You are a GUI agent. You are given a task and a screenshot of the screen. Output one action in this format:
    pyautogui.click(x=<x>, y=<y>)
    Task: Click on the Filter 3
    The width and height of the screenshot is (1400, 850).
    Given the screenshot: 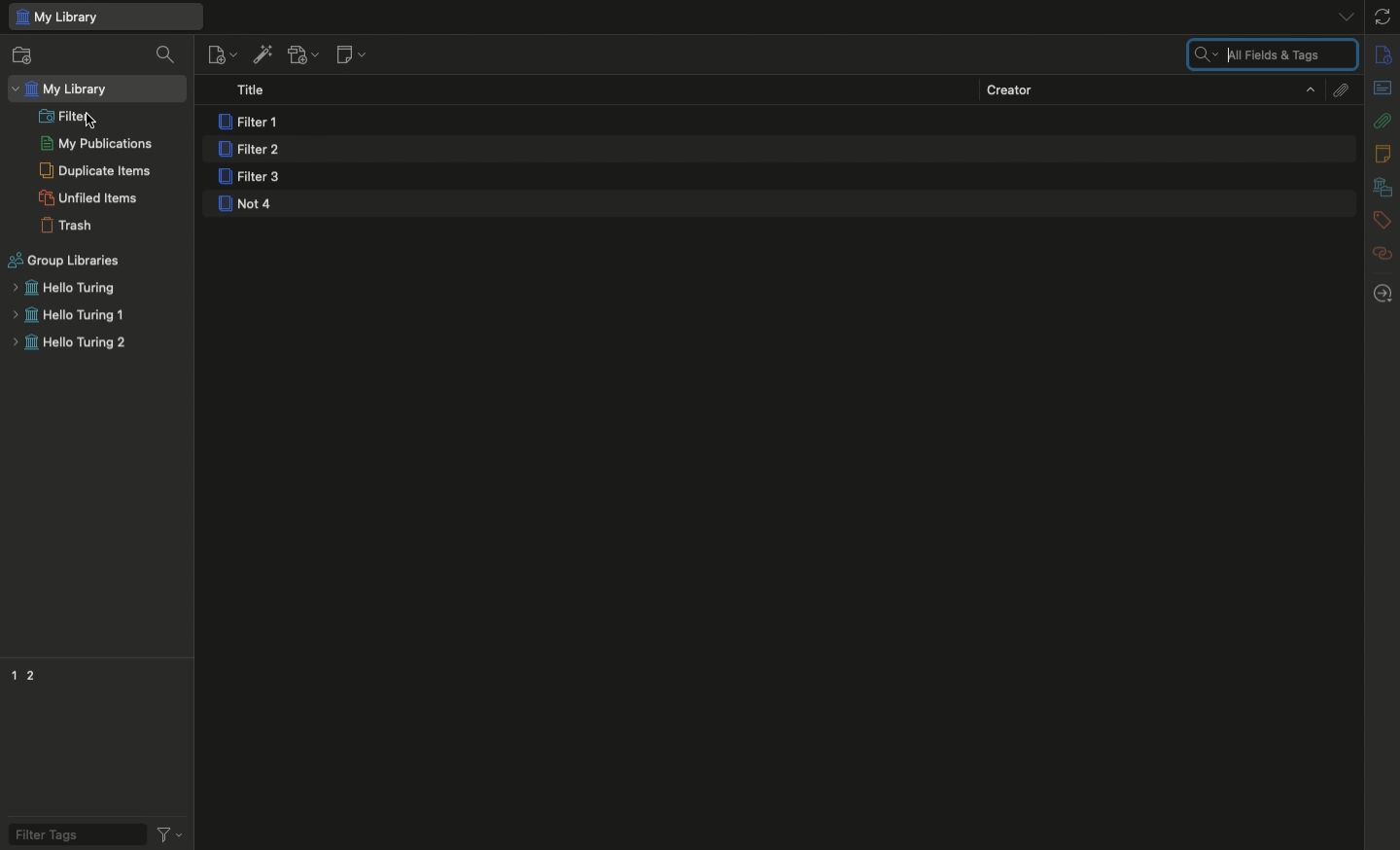 What is the action you would take?
    pyautogui.click(x=254, y=179)
    